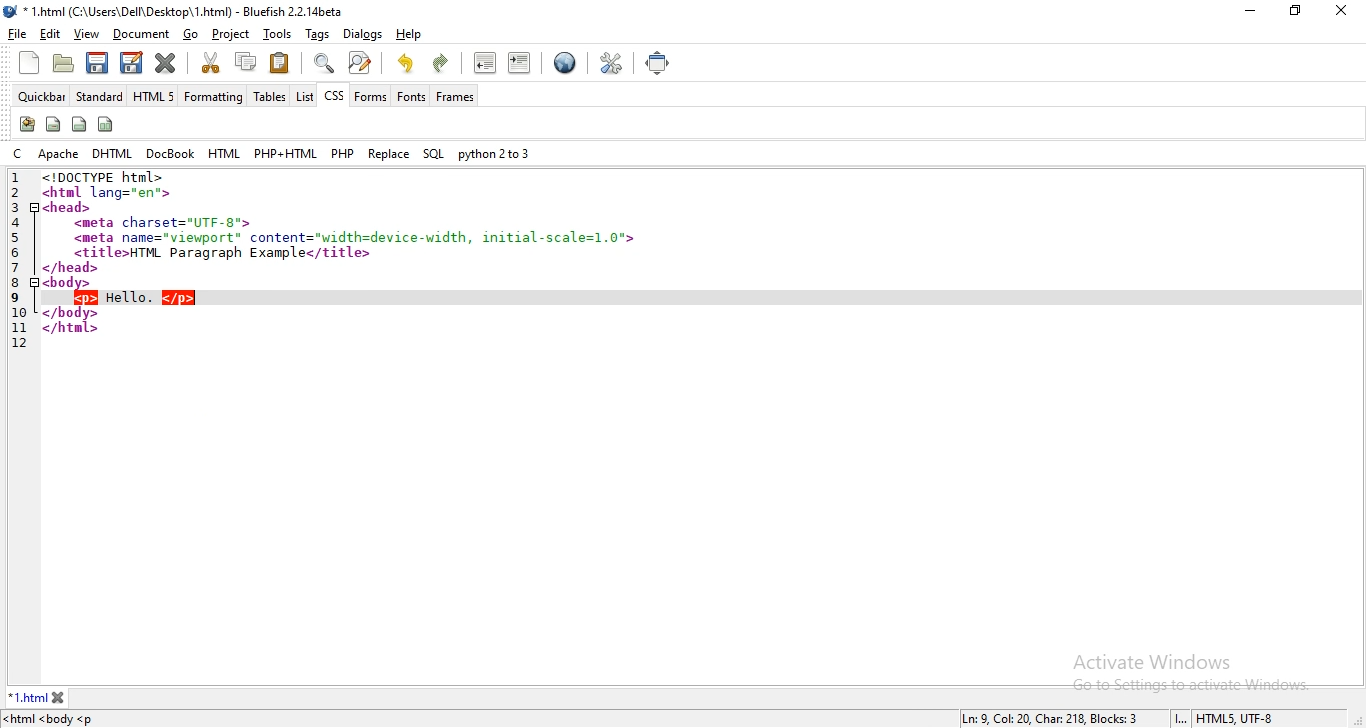  What do you see at coordinates (1237, 719) in the screenshot?
I see `HTML5, UTF-8` at bounding box center [1237, 719].